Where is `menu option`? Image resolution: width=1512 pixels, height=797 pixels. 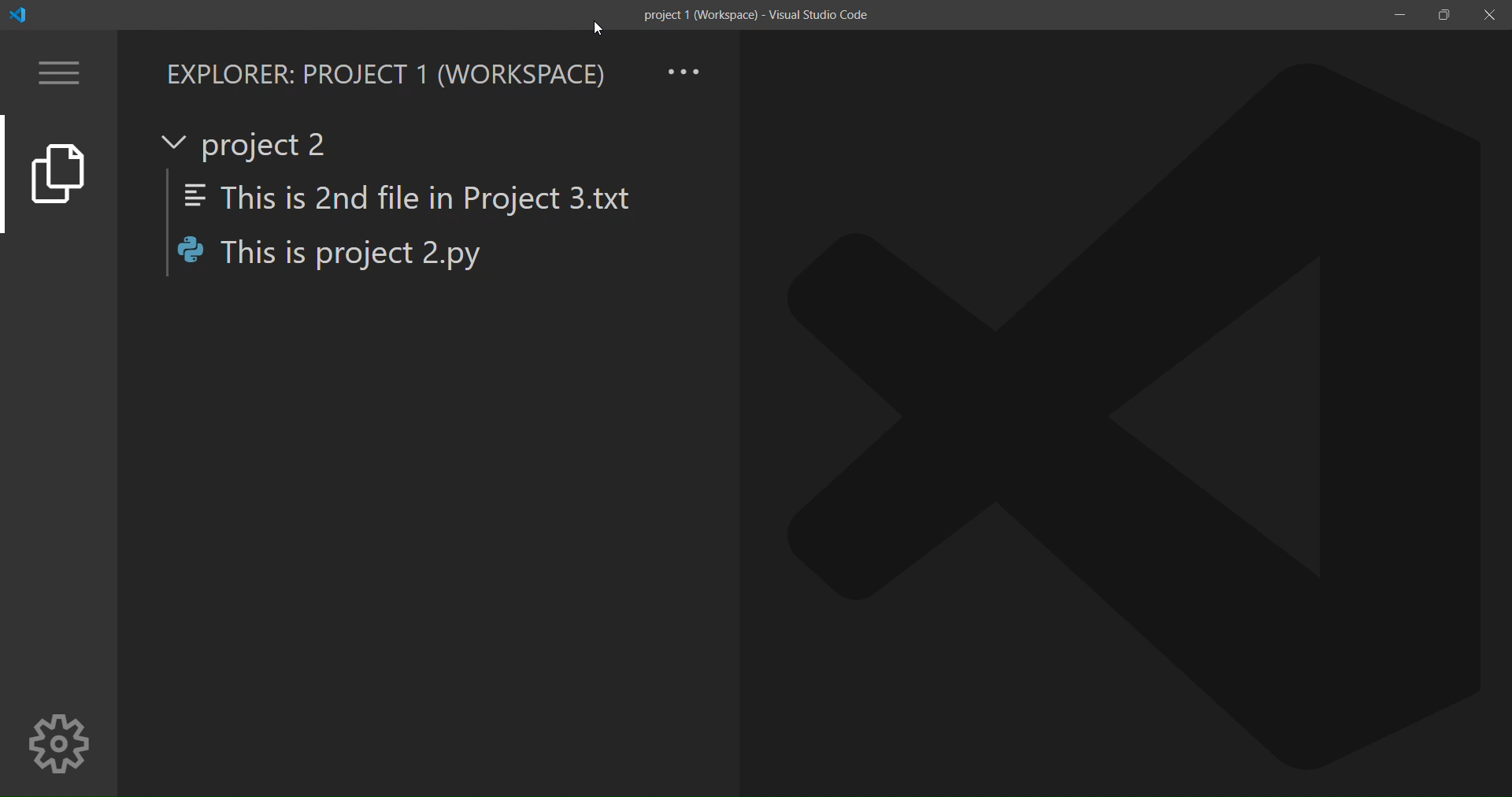
menu option is located at coordinates (61, 72).